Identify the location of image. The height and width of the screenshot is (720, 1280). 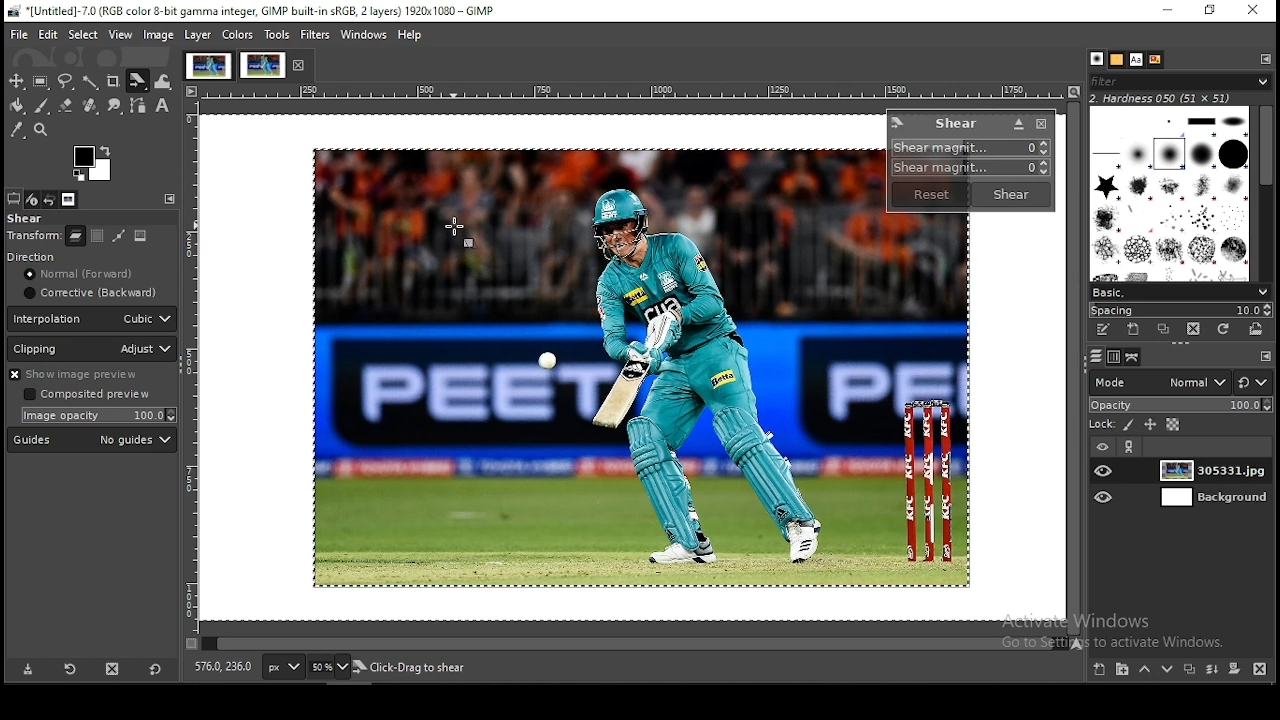
(600, 372).